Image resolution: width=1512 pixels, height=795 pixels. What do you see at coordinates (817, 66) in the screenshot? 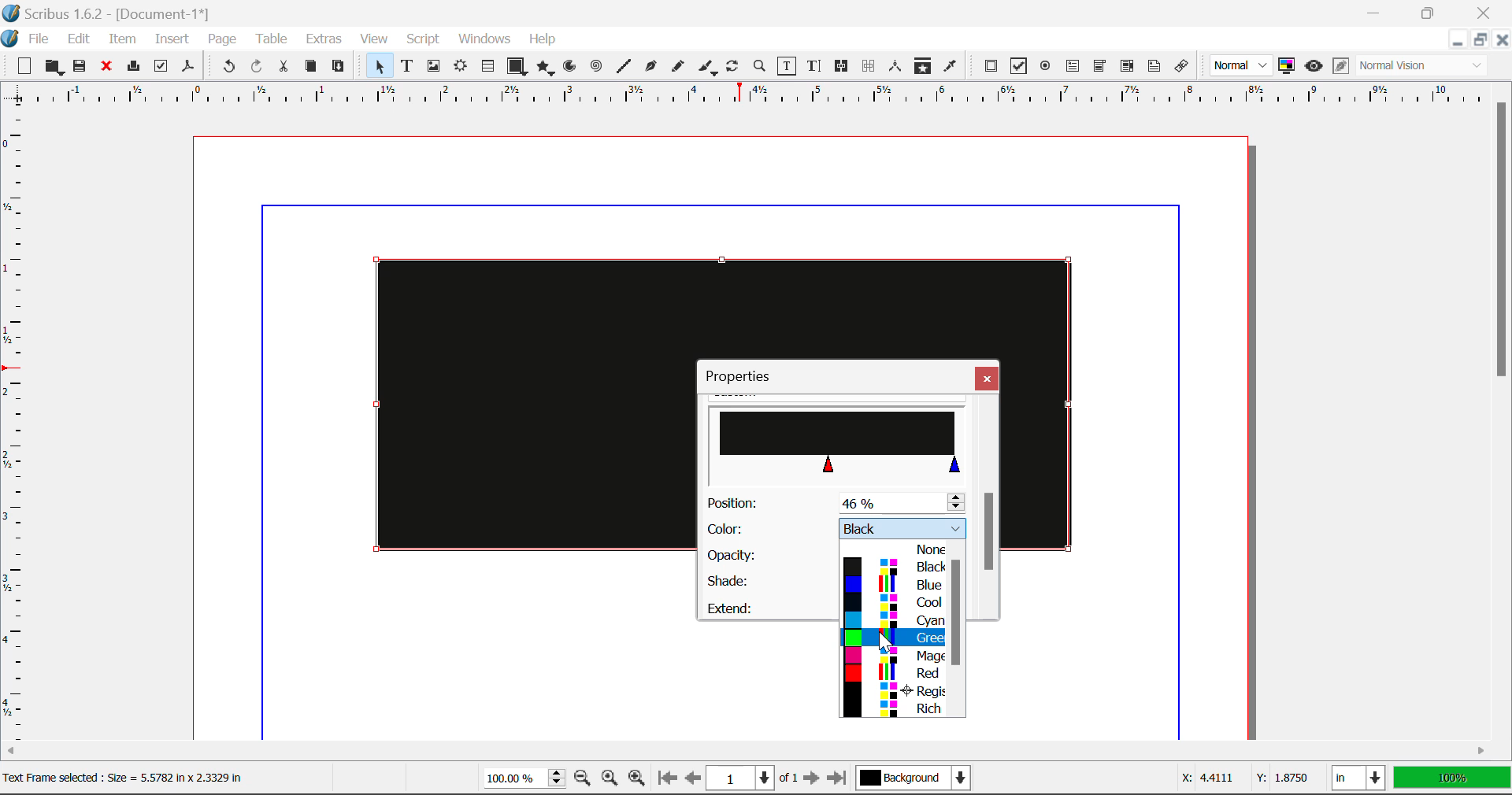
I see `Edit Text with Story Editor` at bounding box center [817, 66].